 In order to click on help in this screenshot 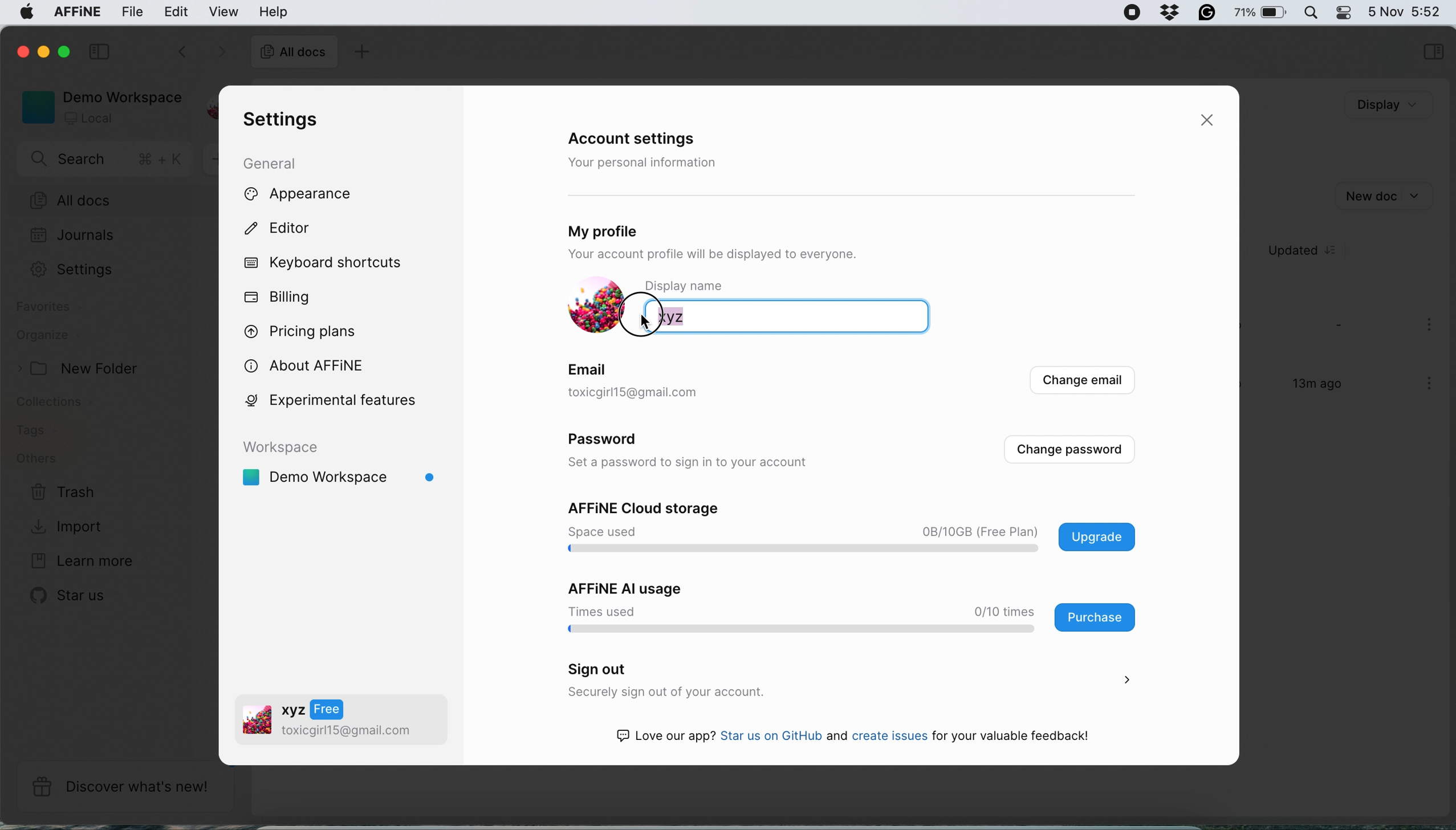, I will do `click(273, 11)`.